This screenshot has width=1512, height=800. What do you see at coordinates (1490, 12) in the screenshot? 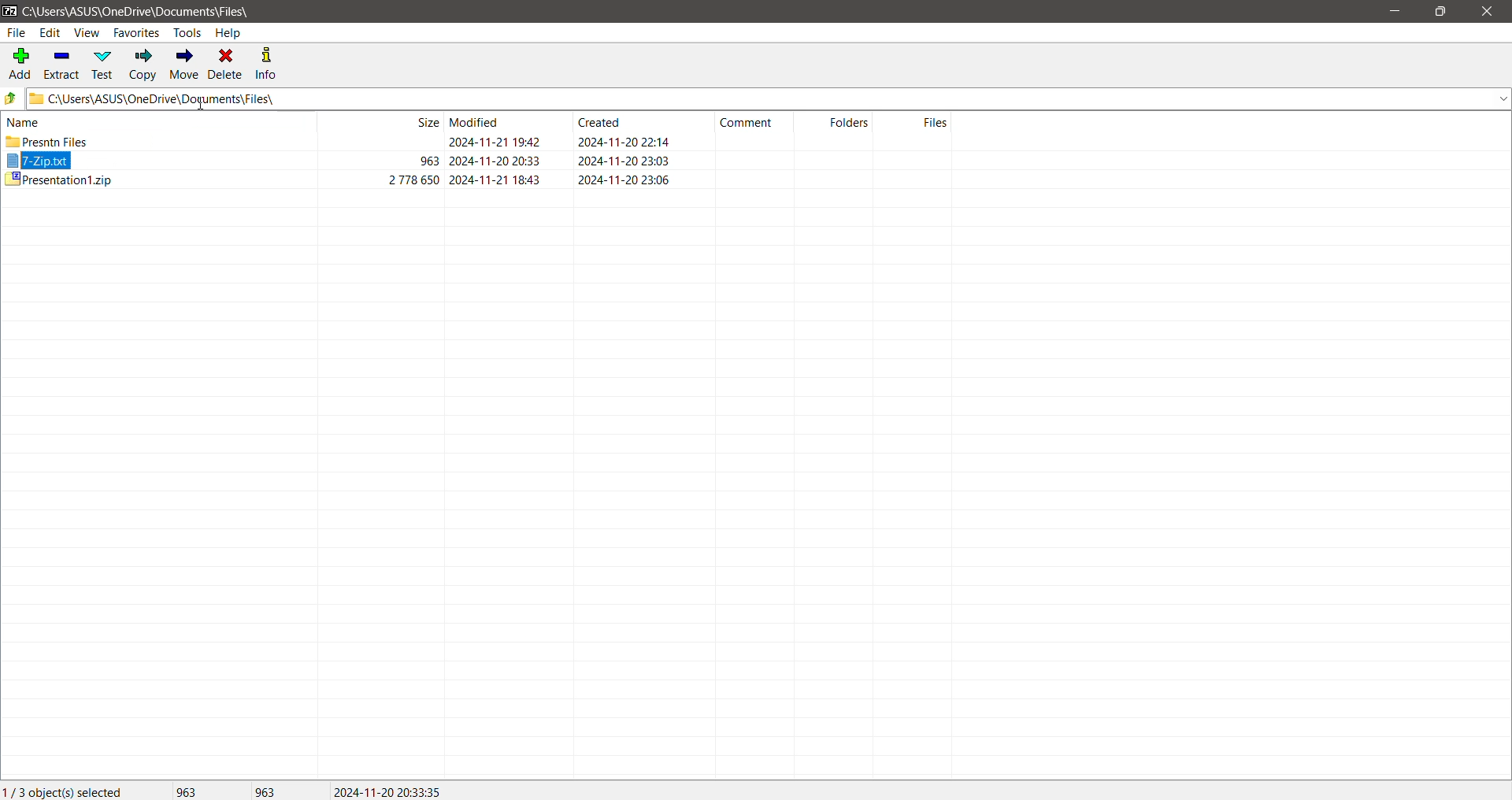
I see `Close` at bounding box center [1490, 12].